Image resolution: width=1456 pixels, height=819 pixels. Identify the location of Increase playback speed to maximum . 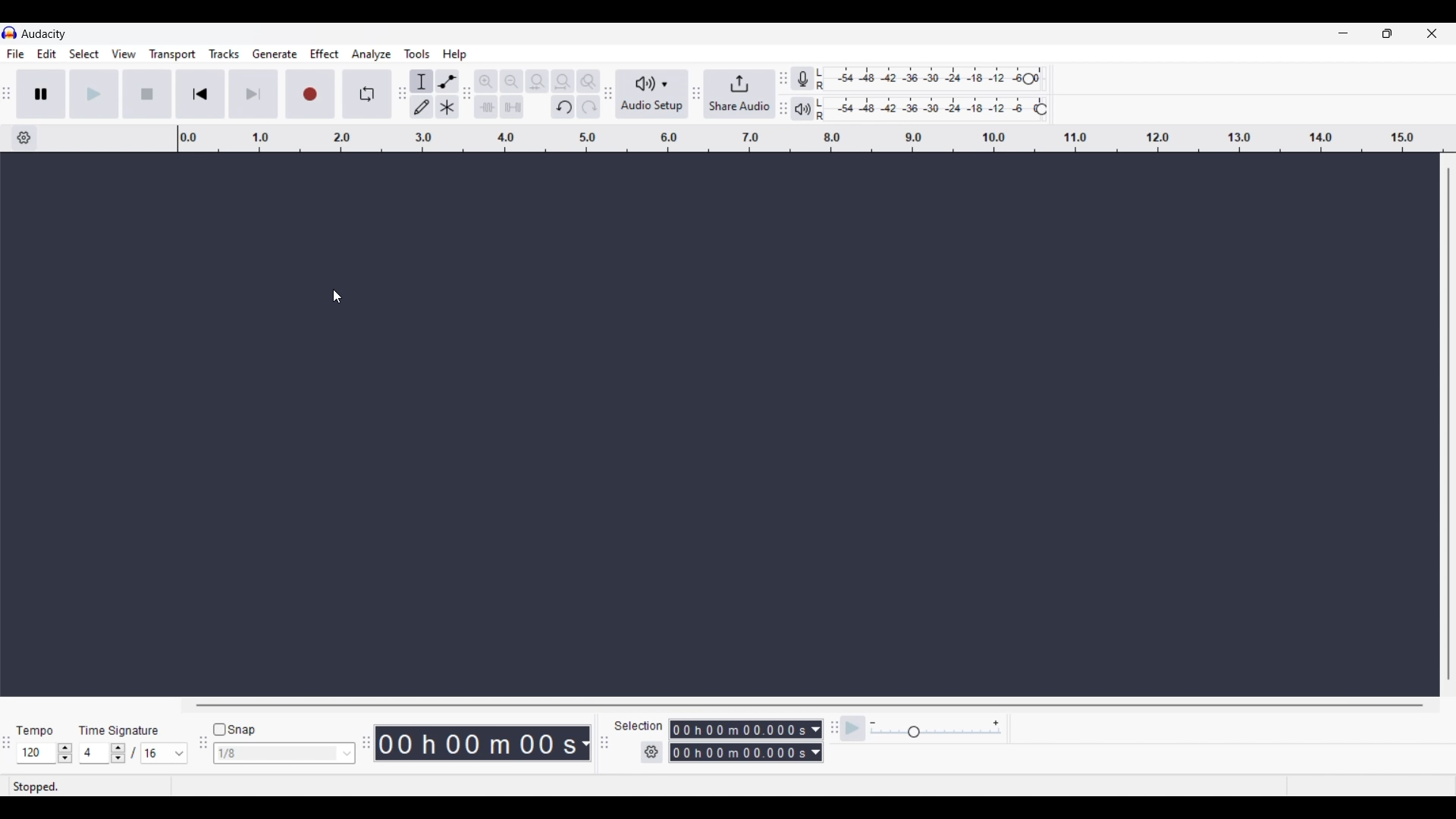
(996, 723).